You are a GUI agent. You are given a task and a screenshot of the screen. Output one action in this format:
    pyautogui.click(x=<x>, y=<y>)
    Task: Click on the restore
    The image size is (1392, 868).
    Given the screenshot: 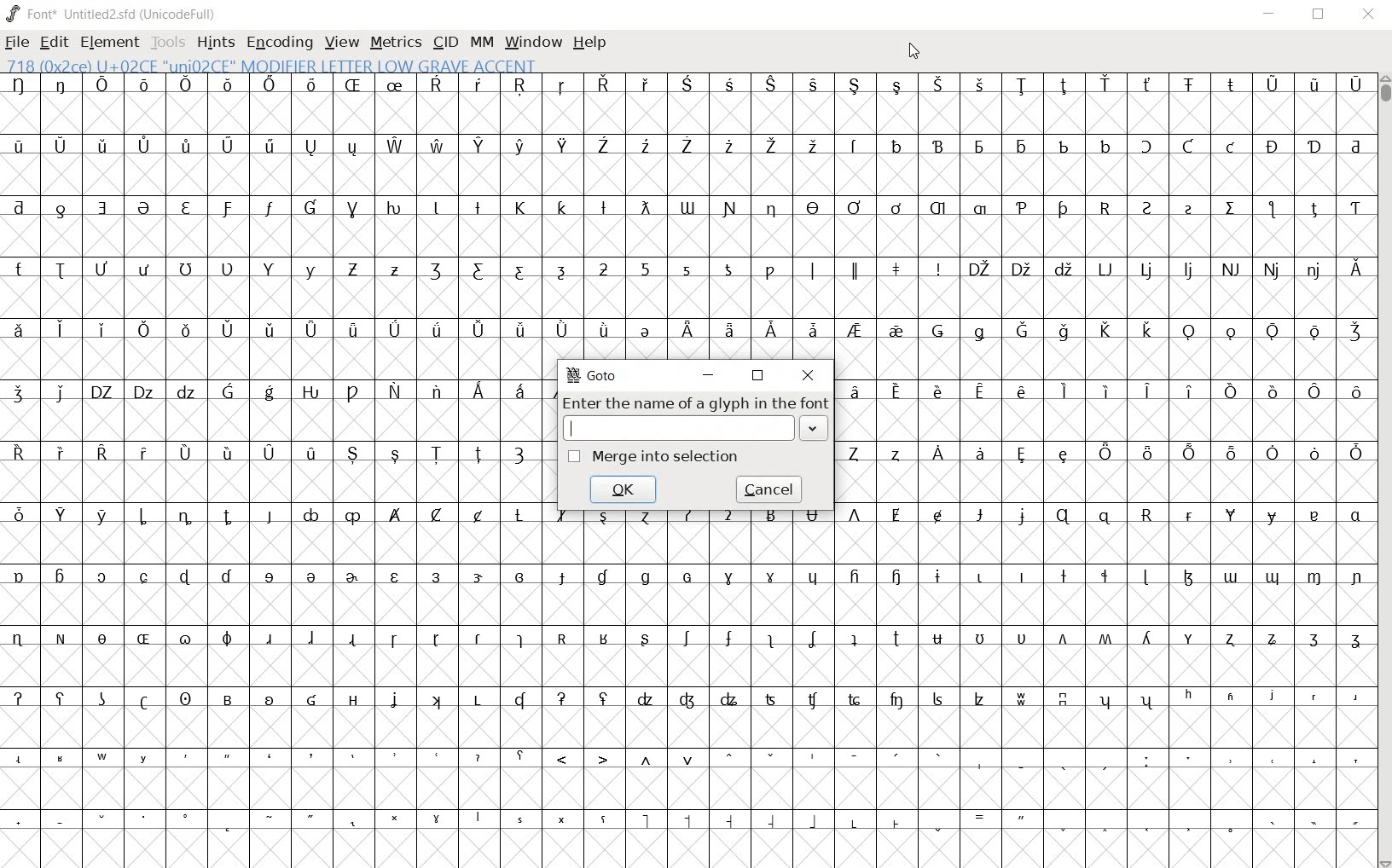 What is the action you would take?
    pyautogui.click(x=1320, y=14)
    